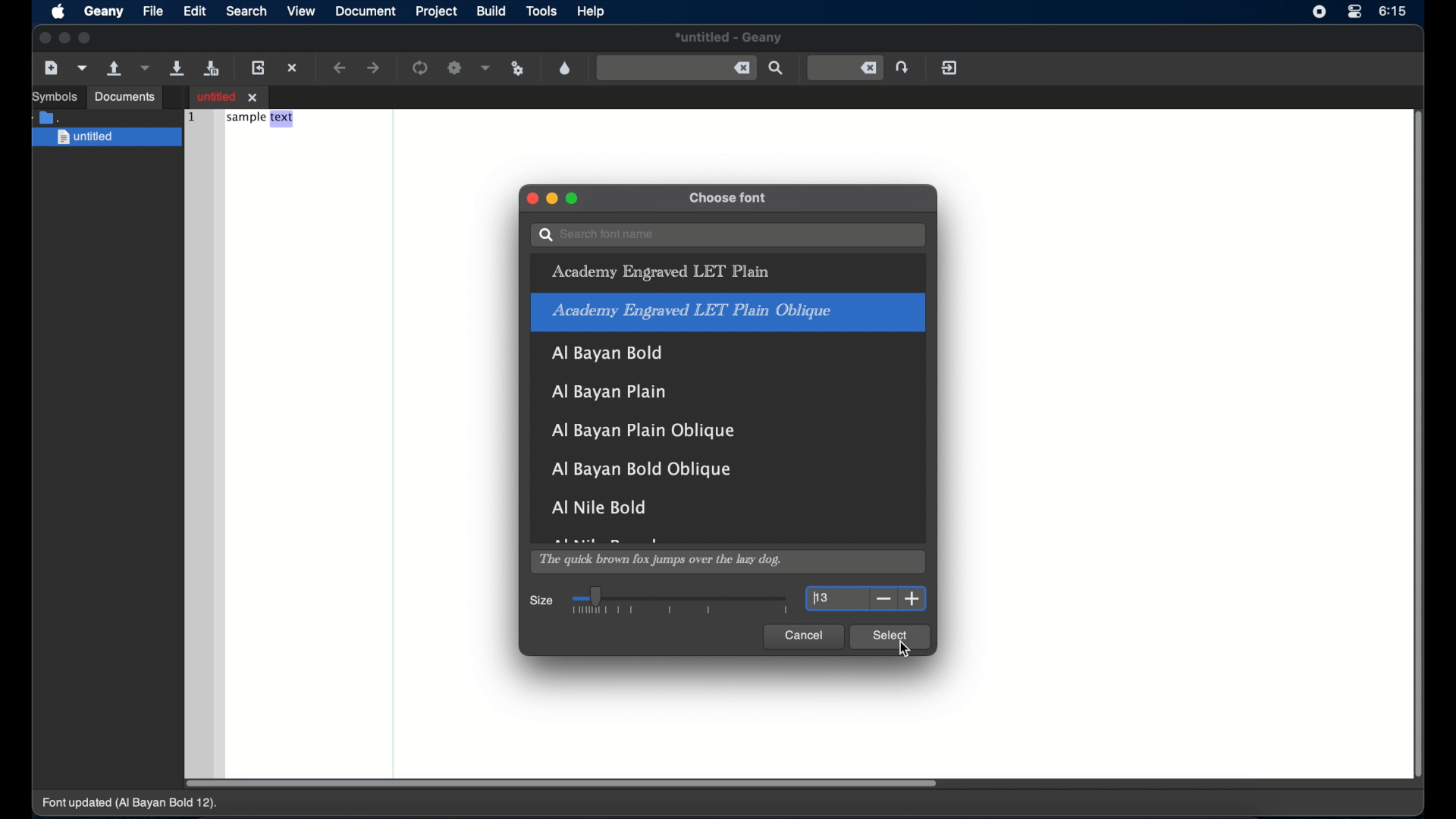  I want to click on open an existing file, so click(115, 69).